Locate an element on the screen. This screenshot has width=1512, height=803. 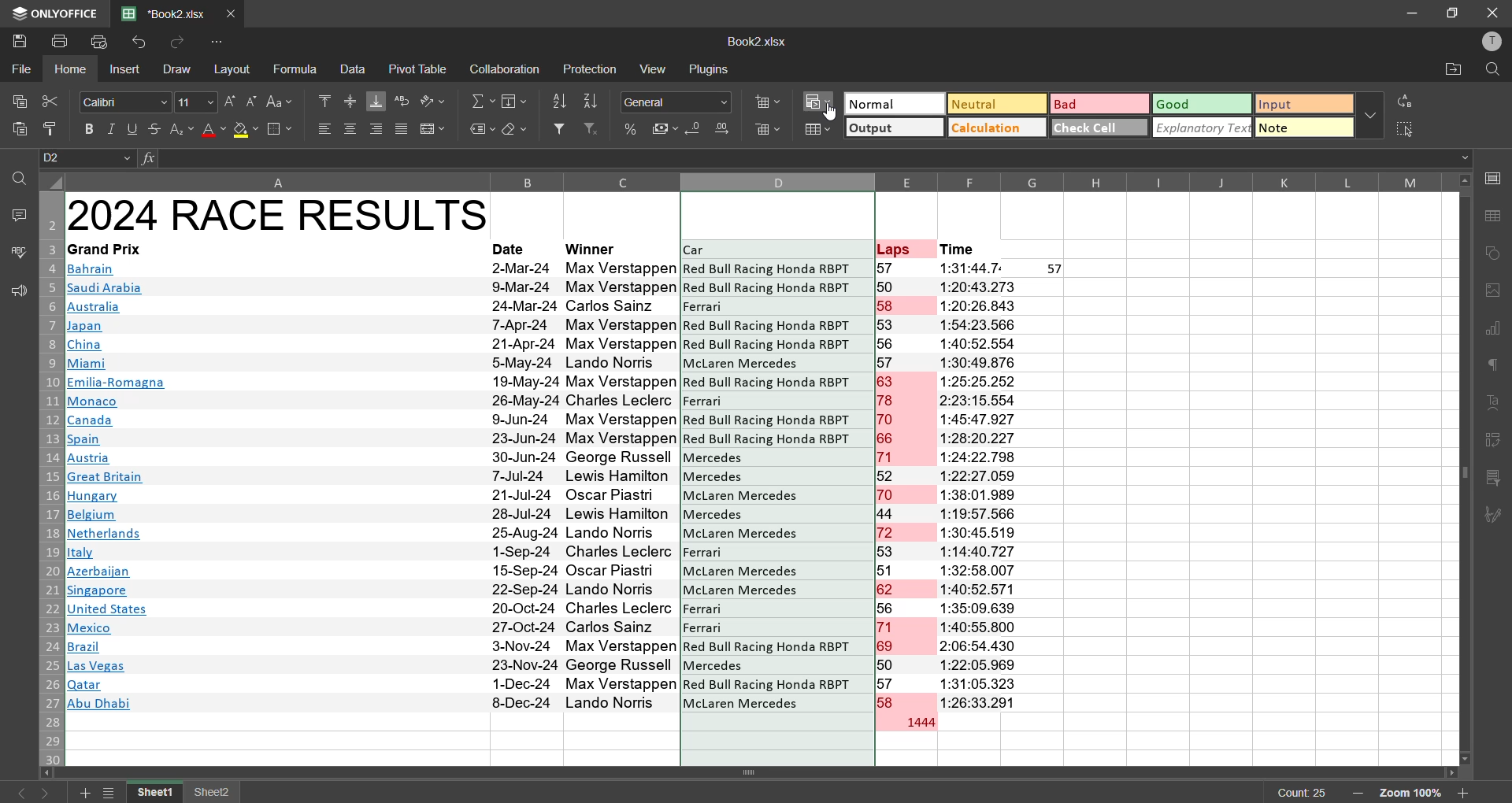
customize quick access toolbar is located at coordinates (220, 42).